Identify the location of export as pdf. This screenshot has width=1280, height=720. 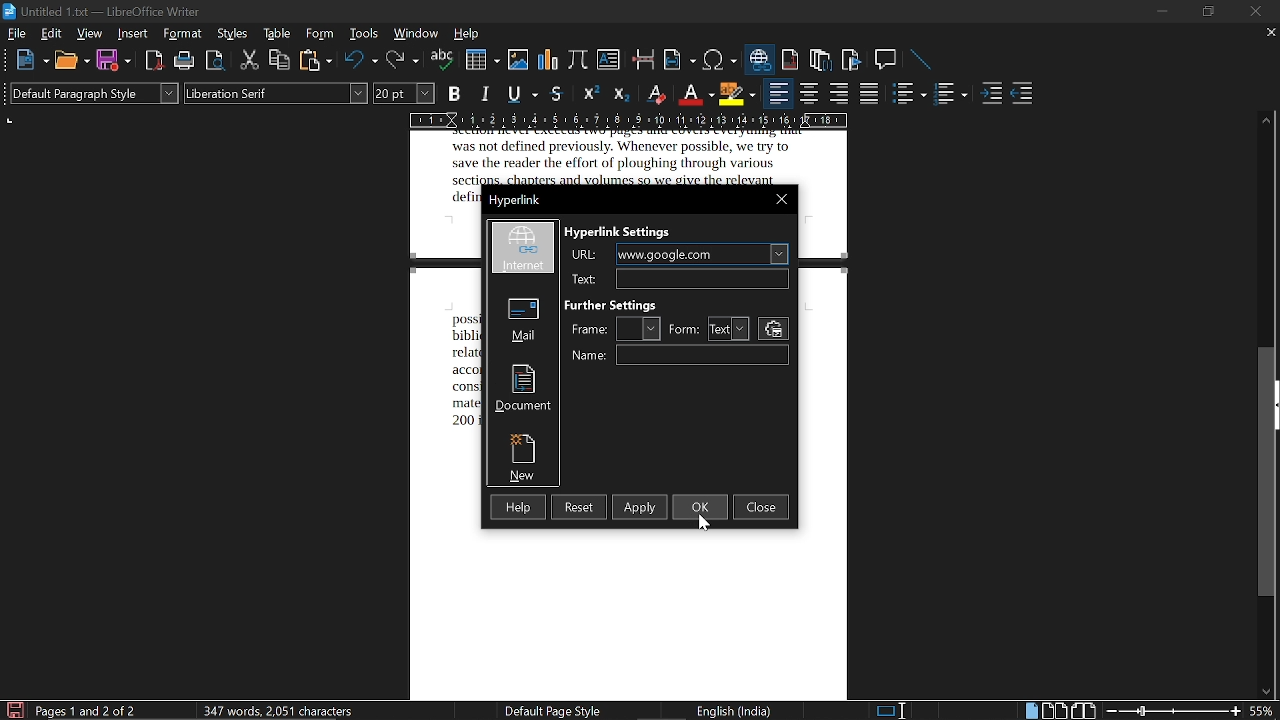
(150, 62).